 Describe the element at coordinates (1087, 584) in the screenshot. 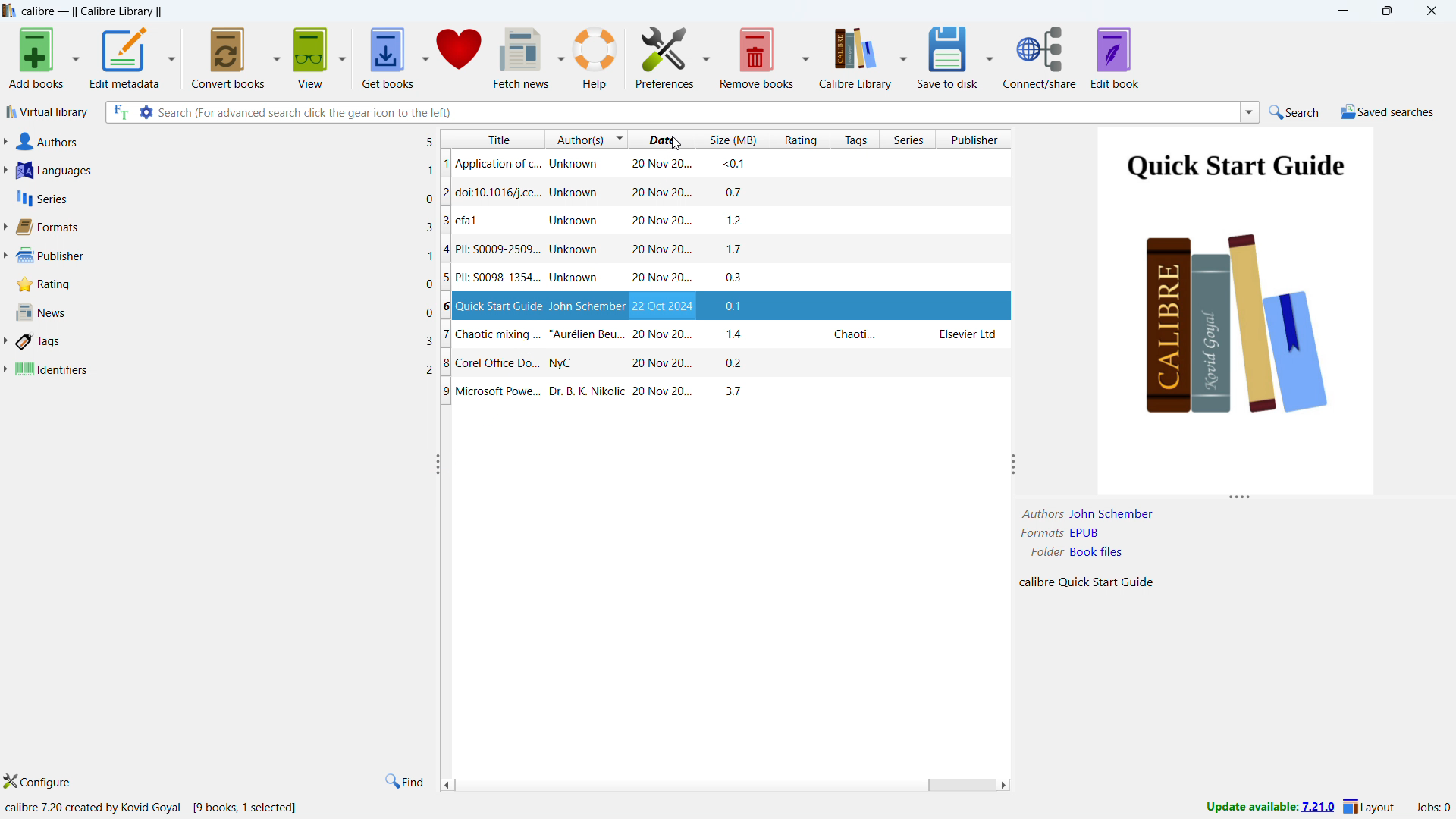

I see `calibre Quick Style Guide` at that location.